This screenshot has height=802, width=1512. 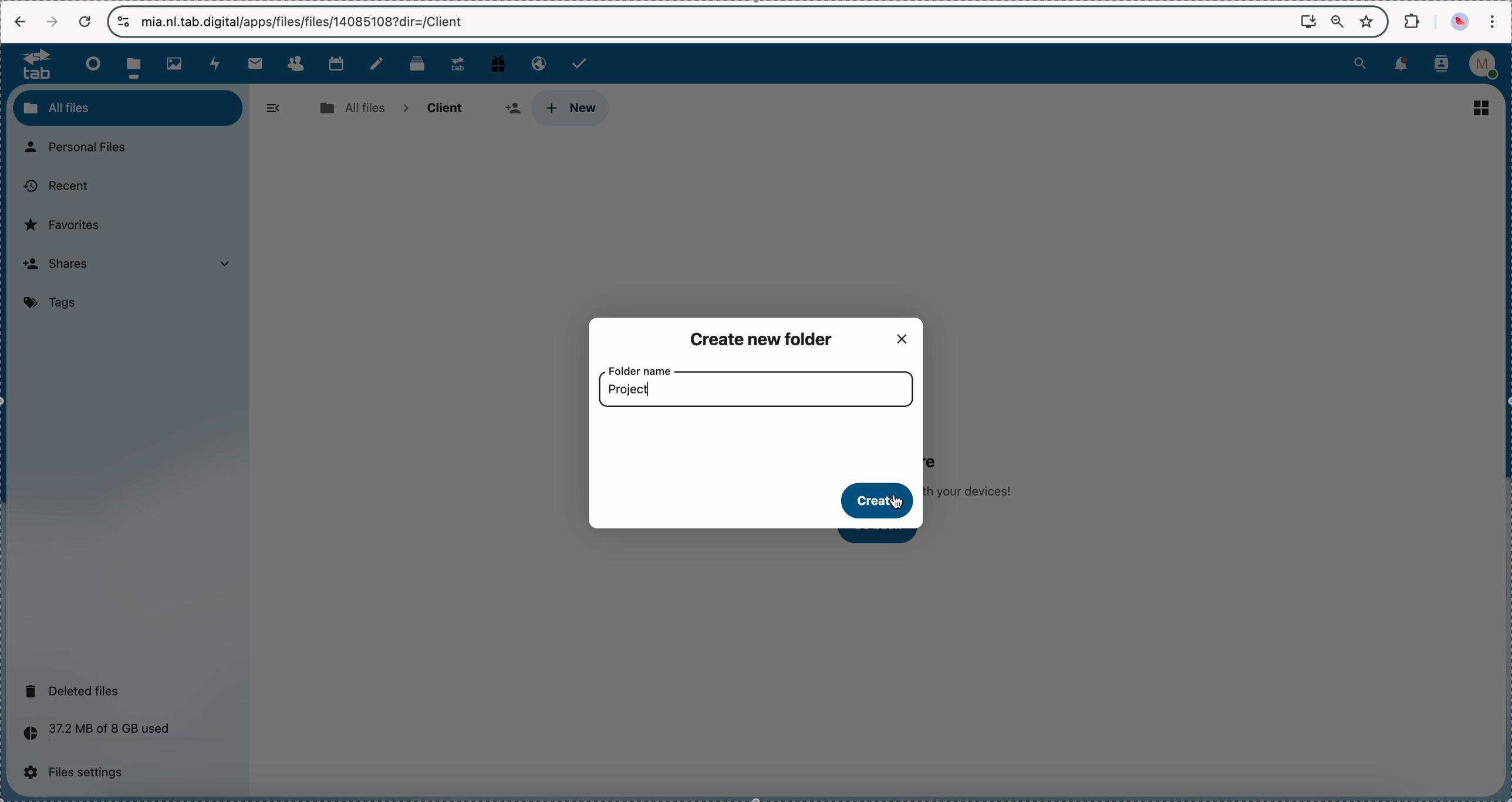 What do you see at coordinates (631, 390) in the screenshot?
I see `project` at bounding box center [631, 390].